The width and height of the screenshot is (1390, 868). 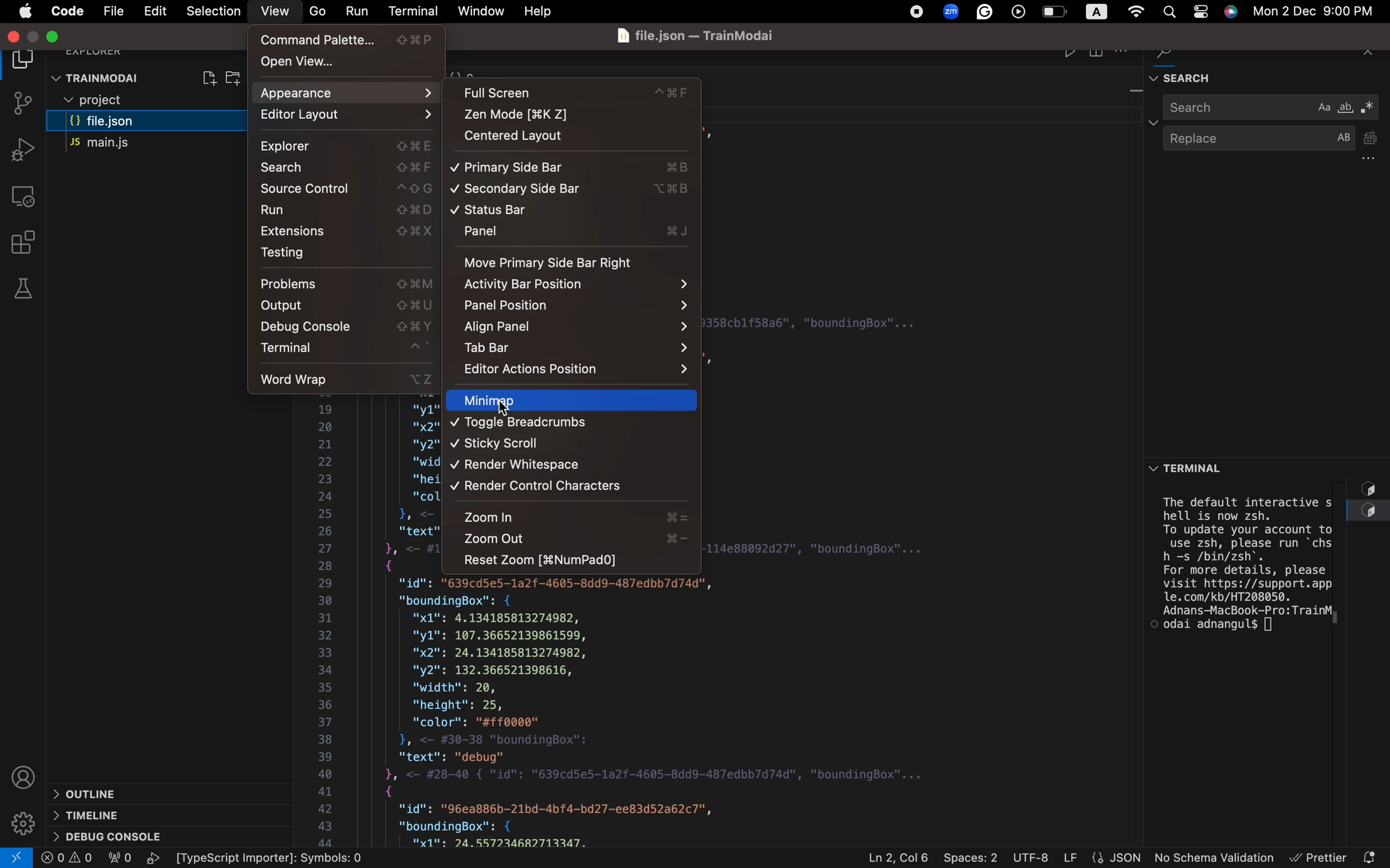 I want to click on command palettte, so click(x=349, y=40).